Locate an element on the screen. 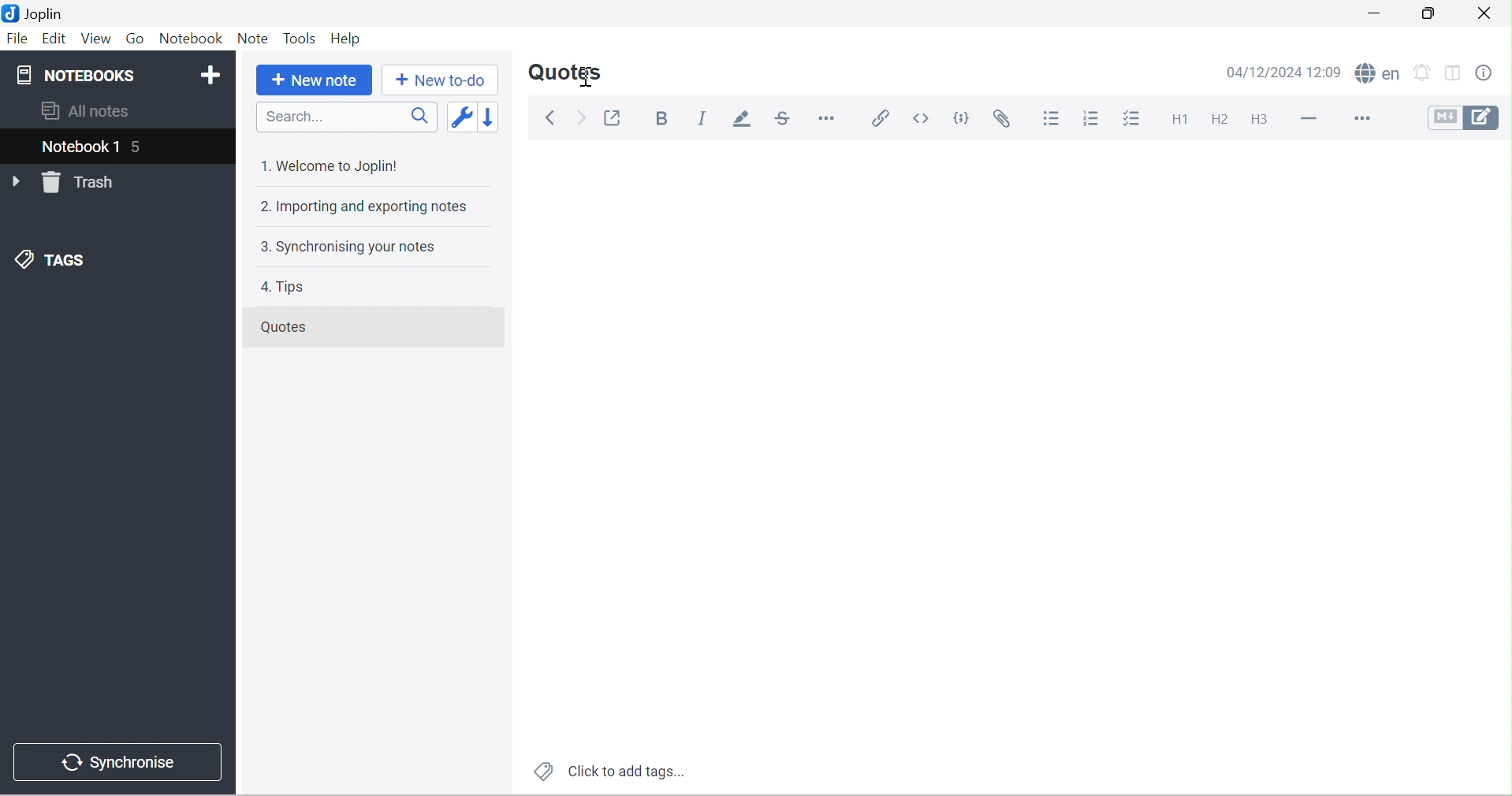 The height and width of the screenshot is (796, 1512). 5 is located at coordinates (140, 146).